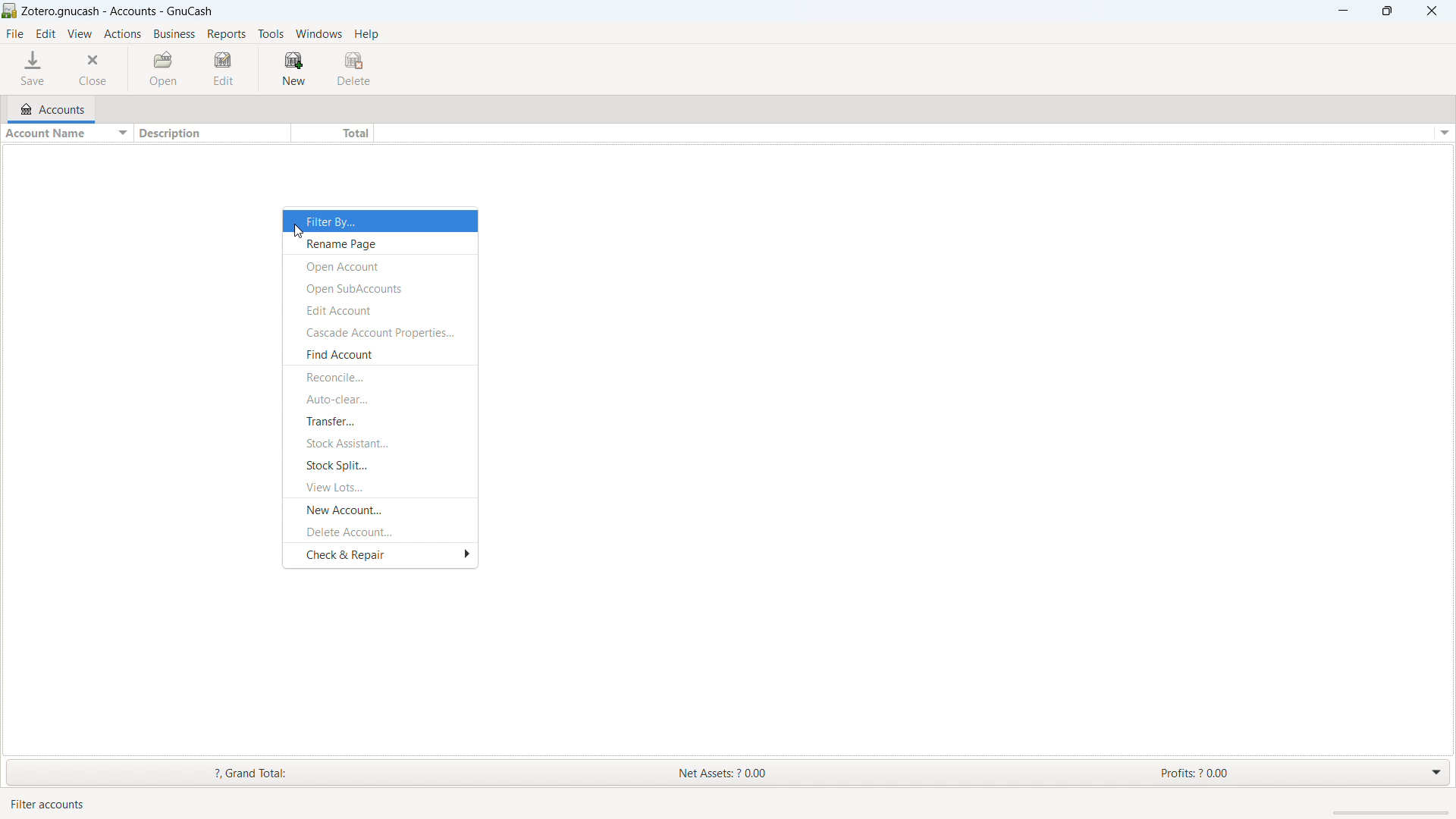 The height and width of the screenshot is (819, 1456). What do you see at coordinates (381, 557) in the screenshot?
I see `check & repair` at bounding box center [381, 557].